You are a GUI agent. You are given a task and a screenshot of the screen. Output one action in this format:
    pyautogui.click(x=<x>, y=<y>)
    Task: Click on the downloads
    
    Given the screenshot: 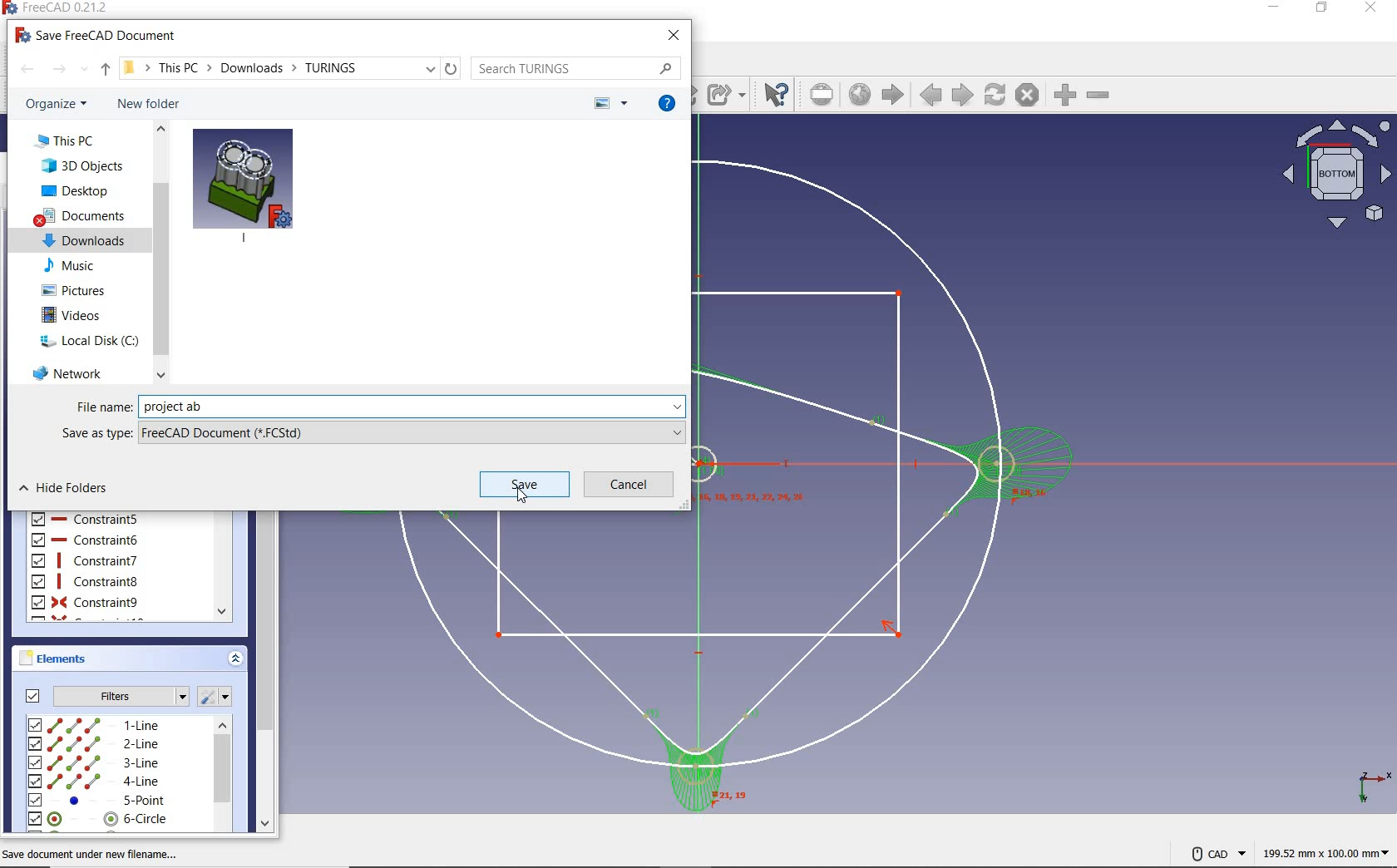 What is the action you would take?
    pyautogui.click(x=85, y=239)
    